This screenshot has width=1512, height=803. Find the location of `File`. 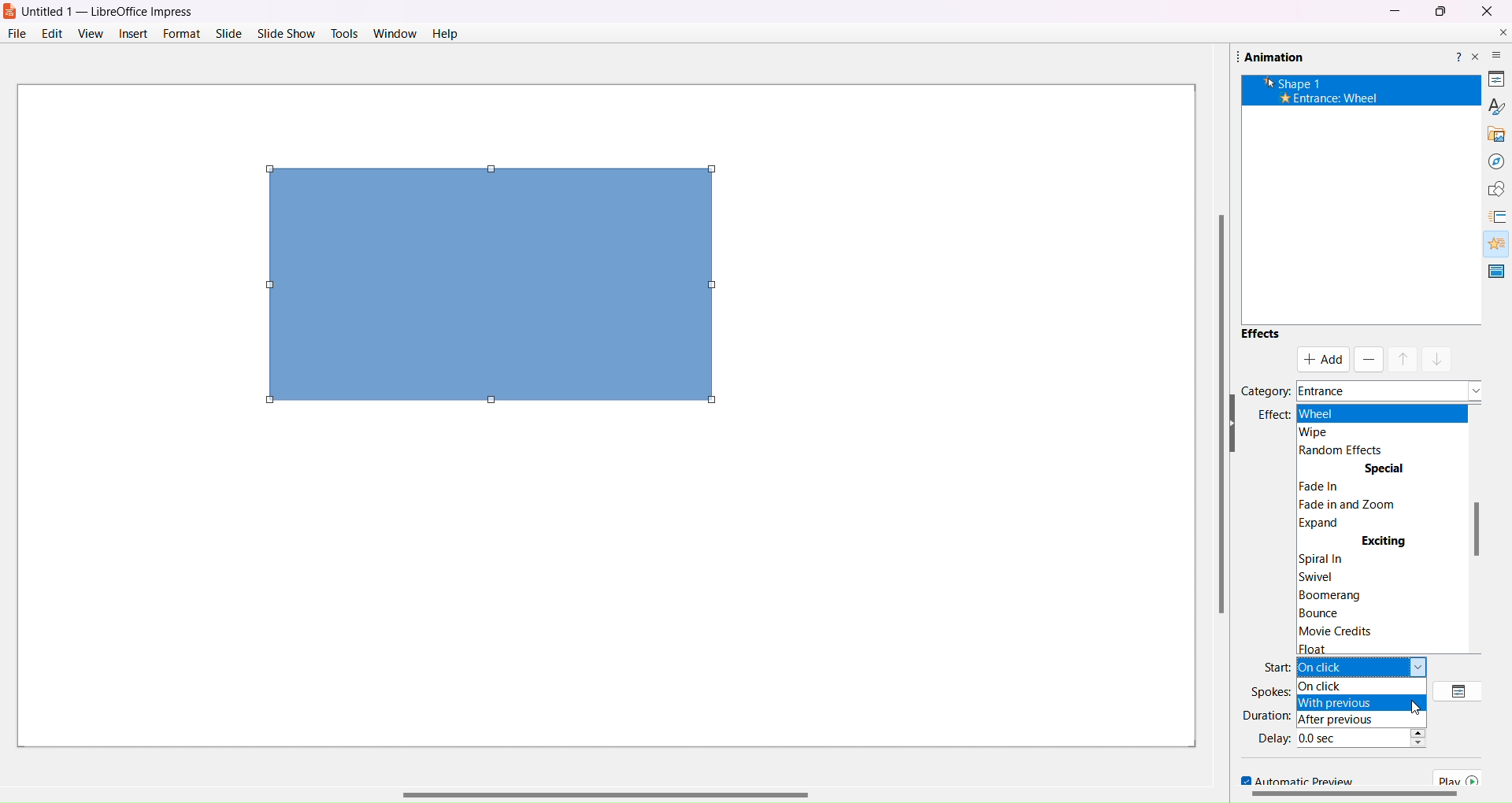

File is located at coordinates (16, 33).